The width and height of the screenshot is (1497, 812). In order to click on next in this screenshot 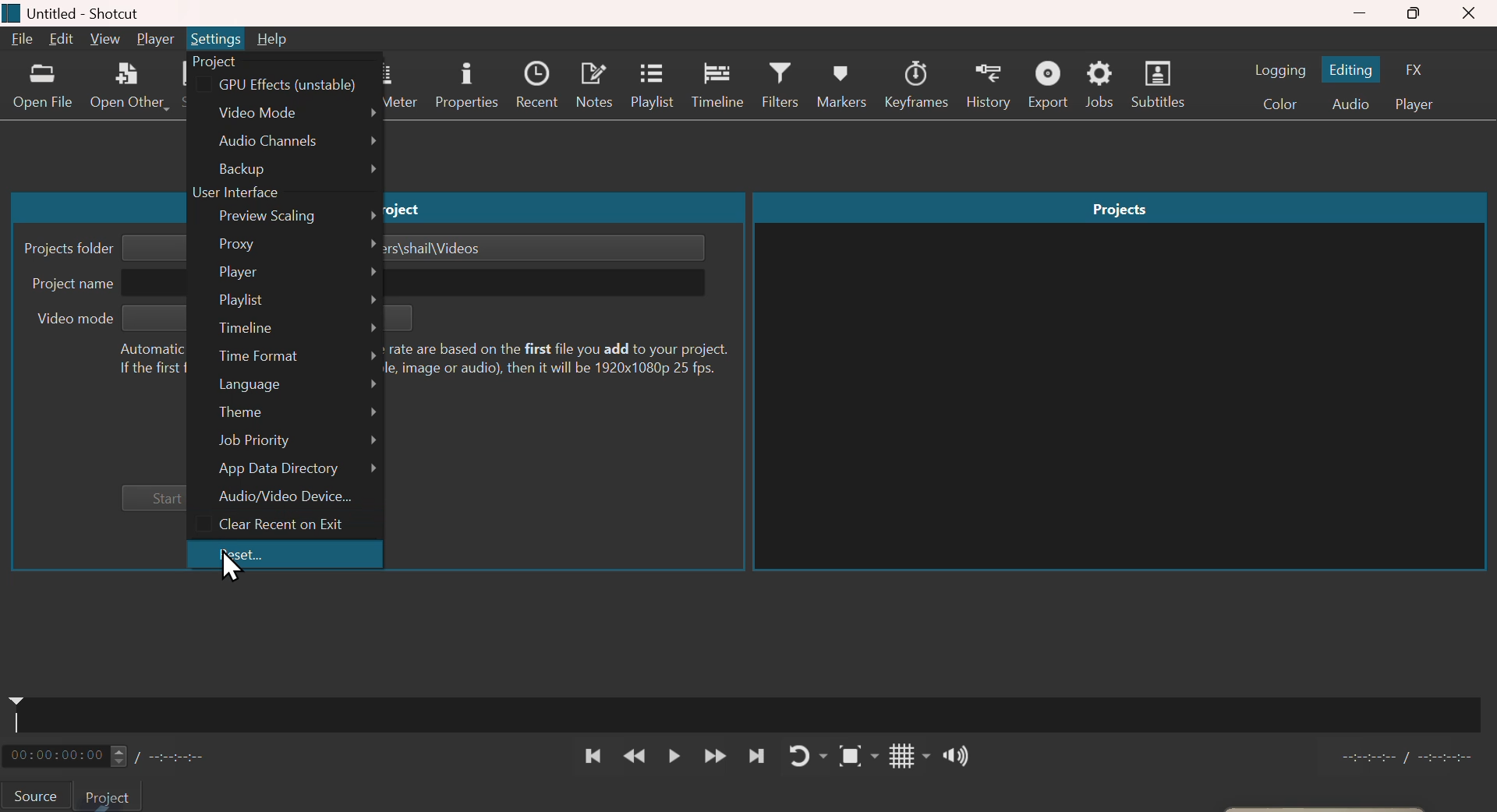, I will do `click(755, 755)`.